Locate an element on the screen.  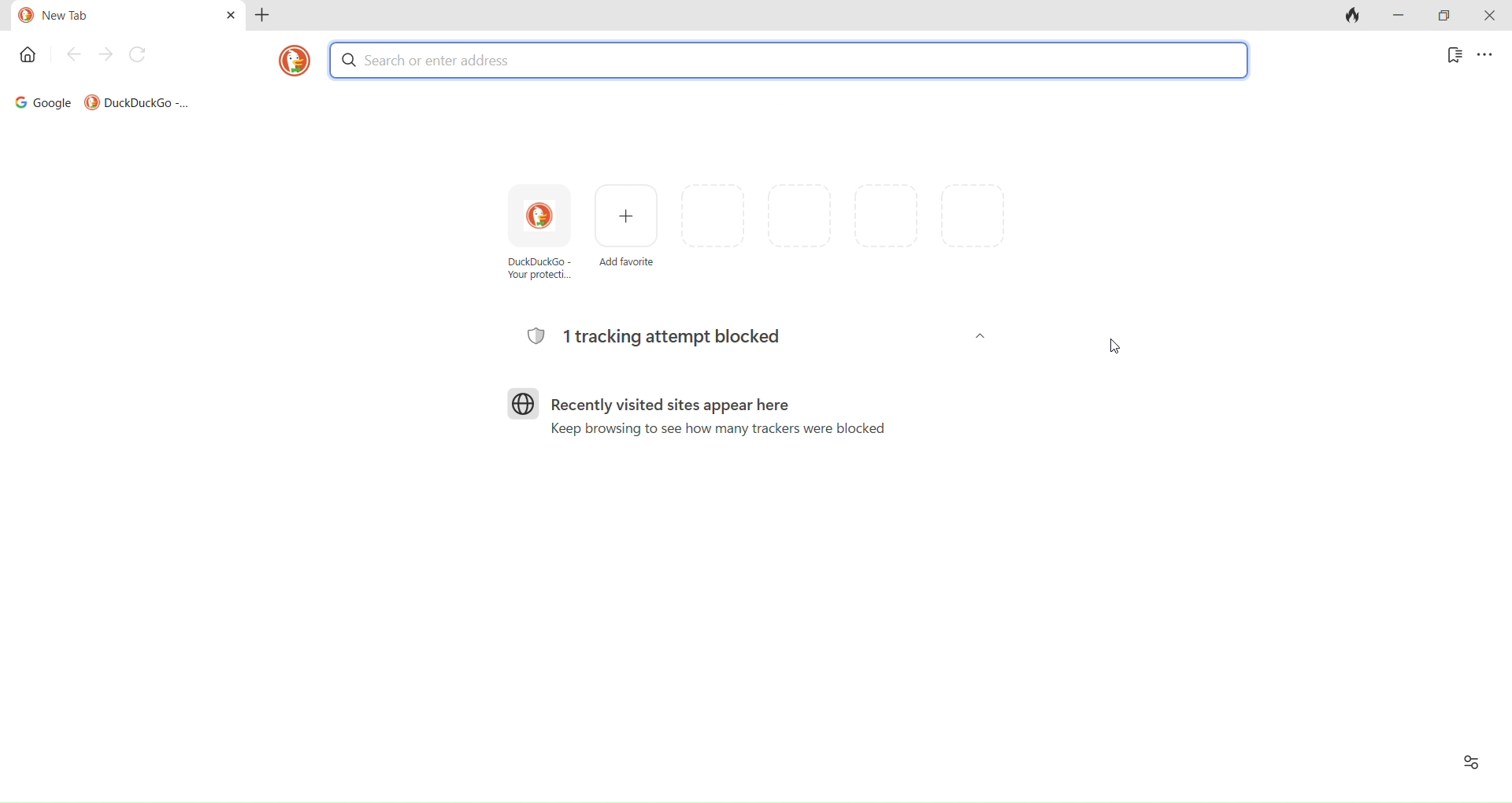
cursor is located at coordinates (1119, 350).